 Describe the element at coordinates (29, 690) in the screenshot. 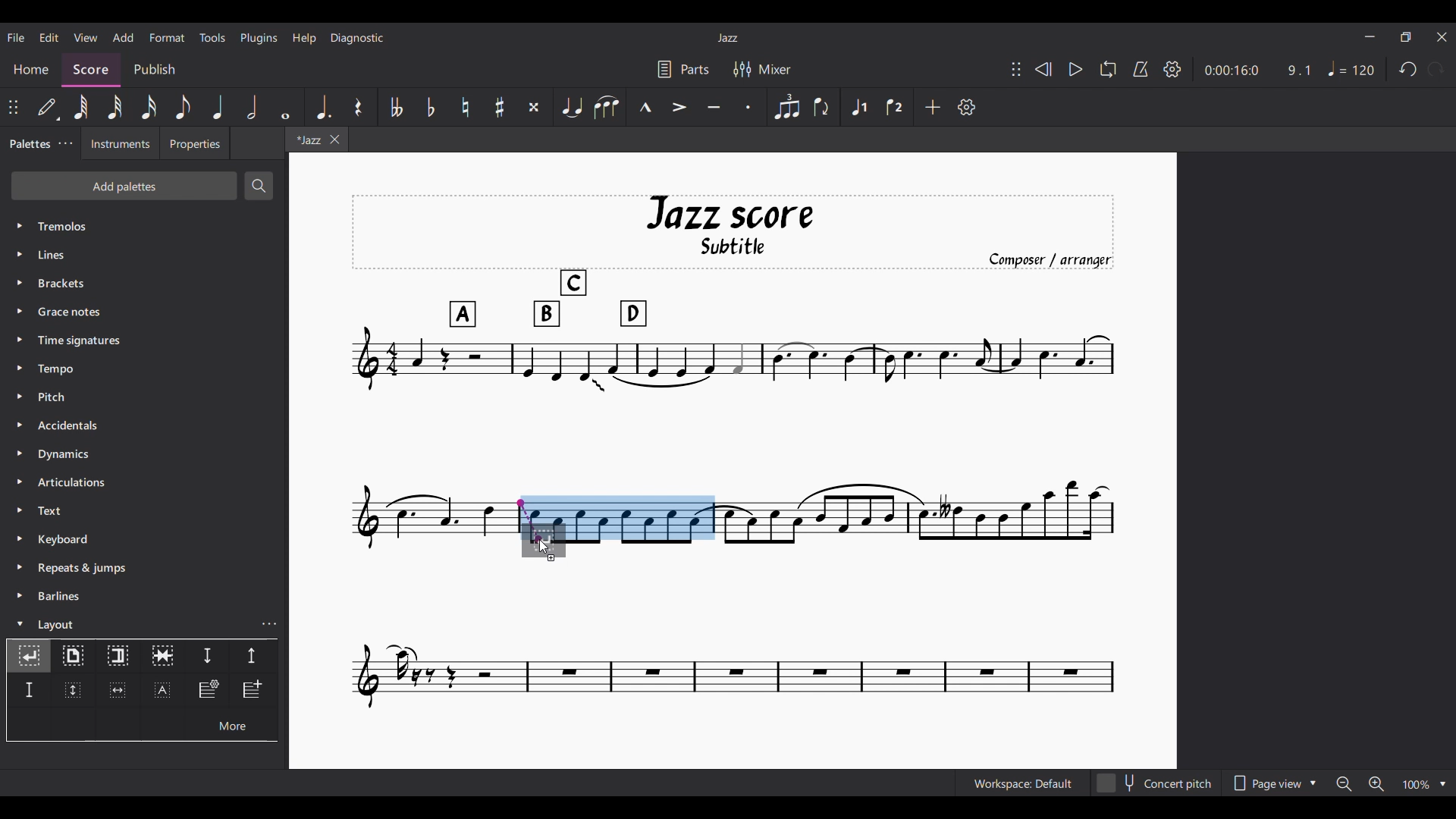

I see `Staff spacer fixed down` at that location.